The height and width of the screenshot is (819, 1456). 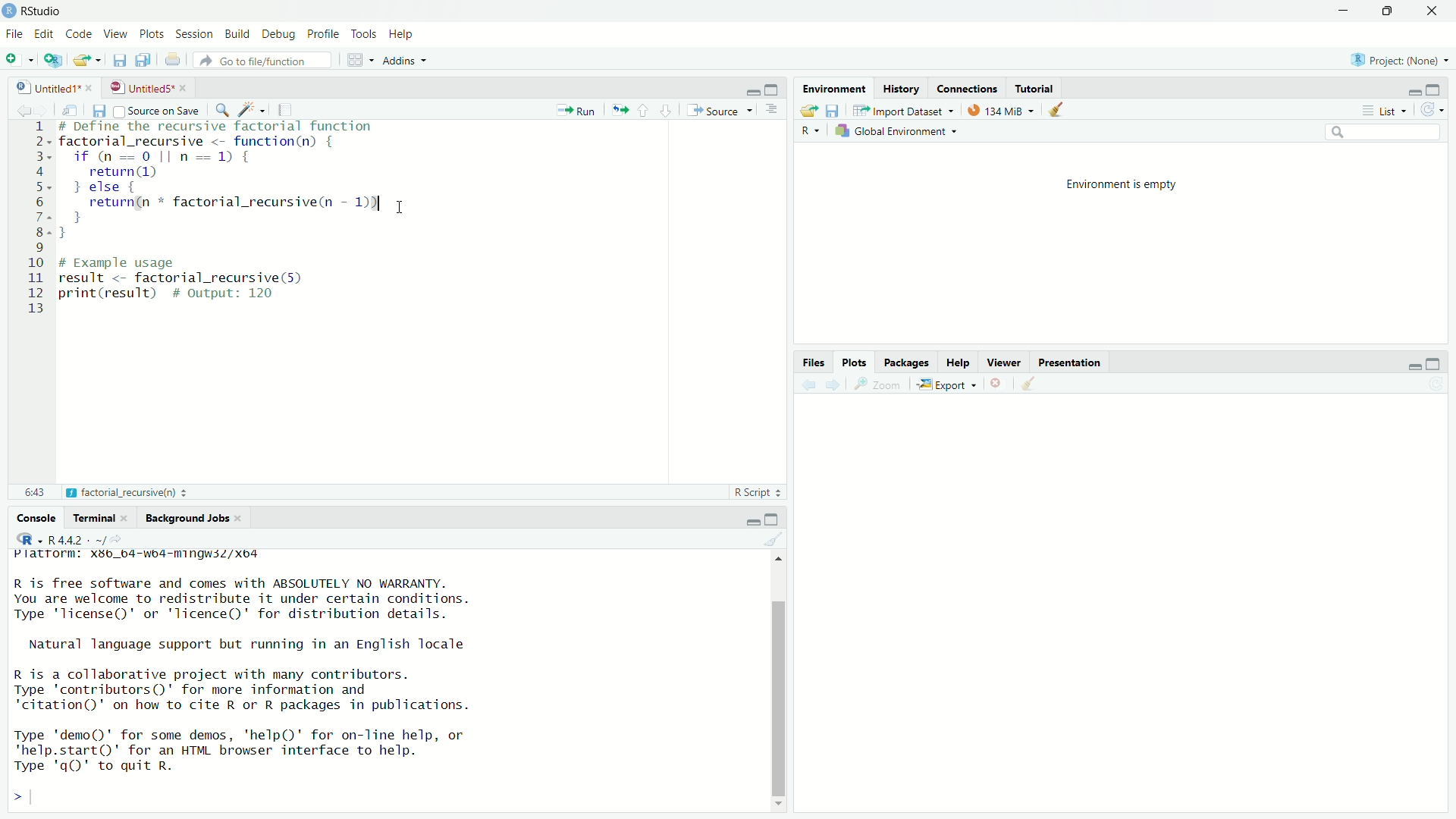 I want to click on Minimize, so click(x=1412, y=366).